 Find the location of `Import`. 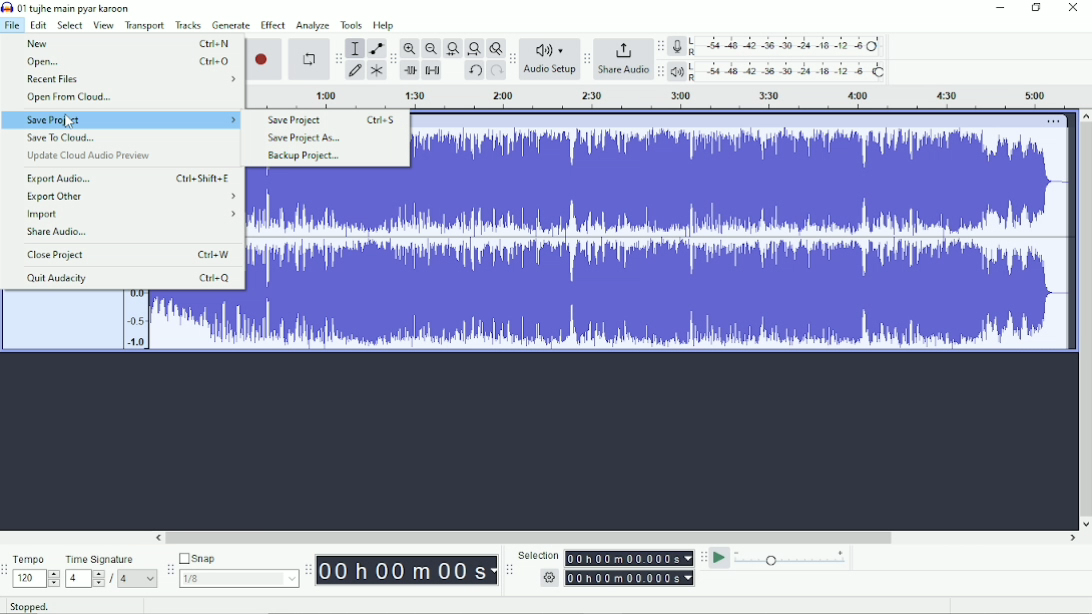

Import is located at coordinates (131, 215).